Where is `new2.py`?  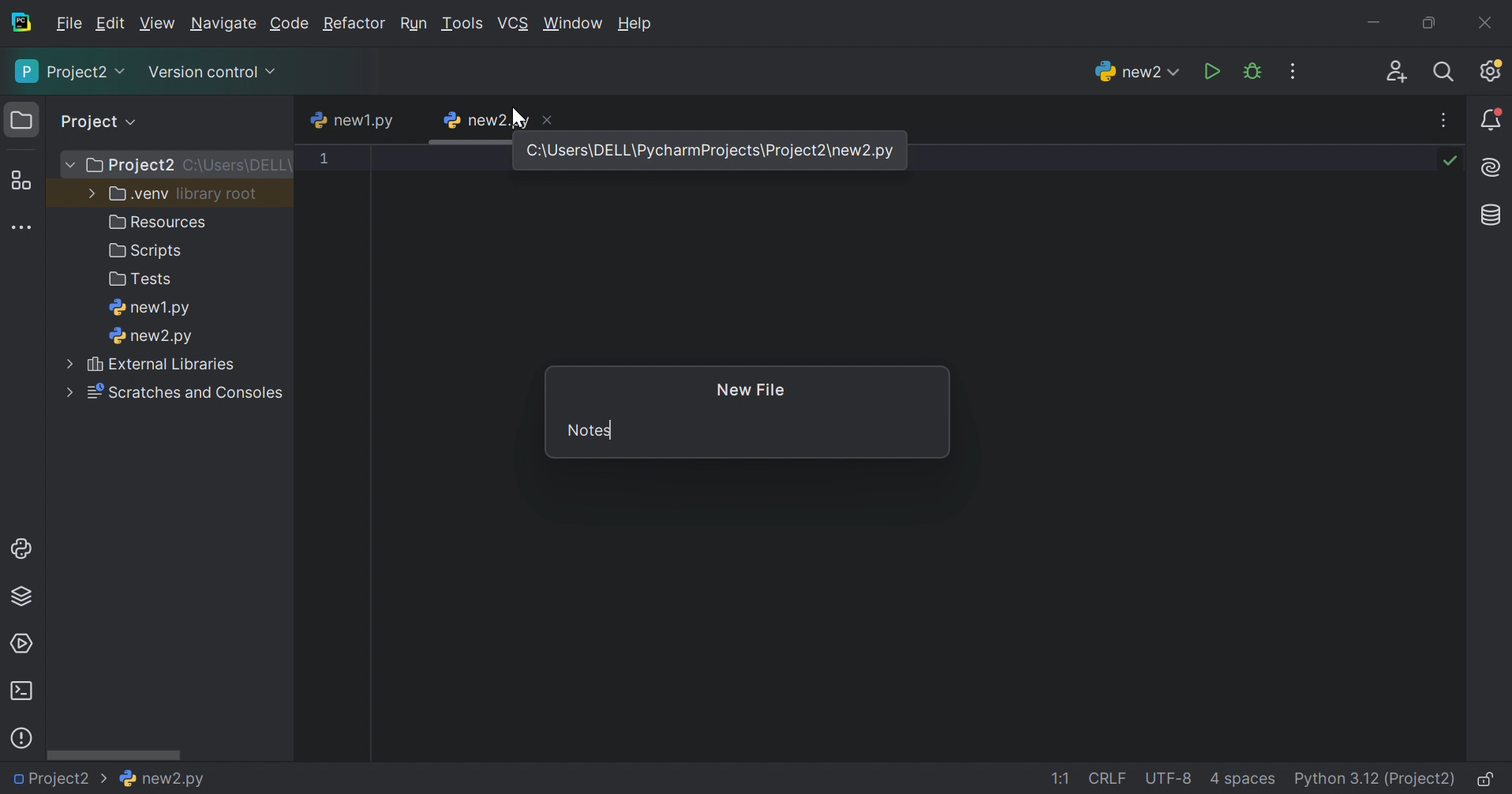 new2.py is located at coordinates (152, 338).